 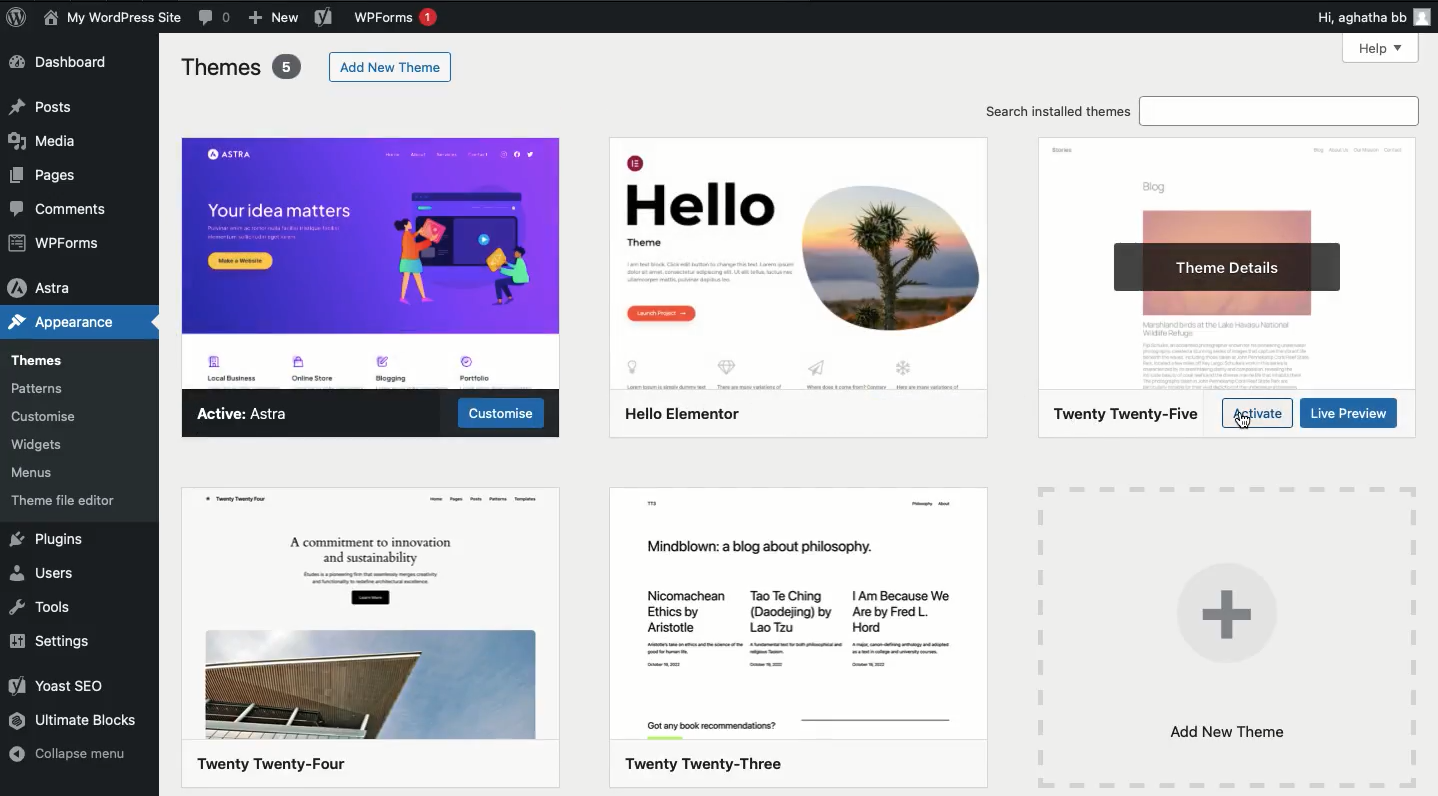 What do you see at coordinates (320, 18) in the screenshot?
I see `Yoast` at bounding box center [320, 18].